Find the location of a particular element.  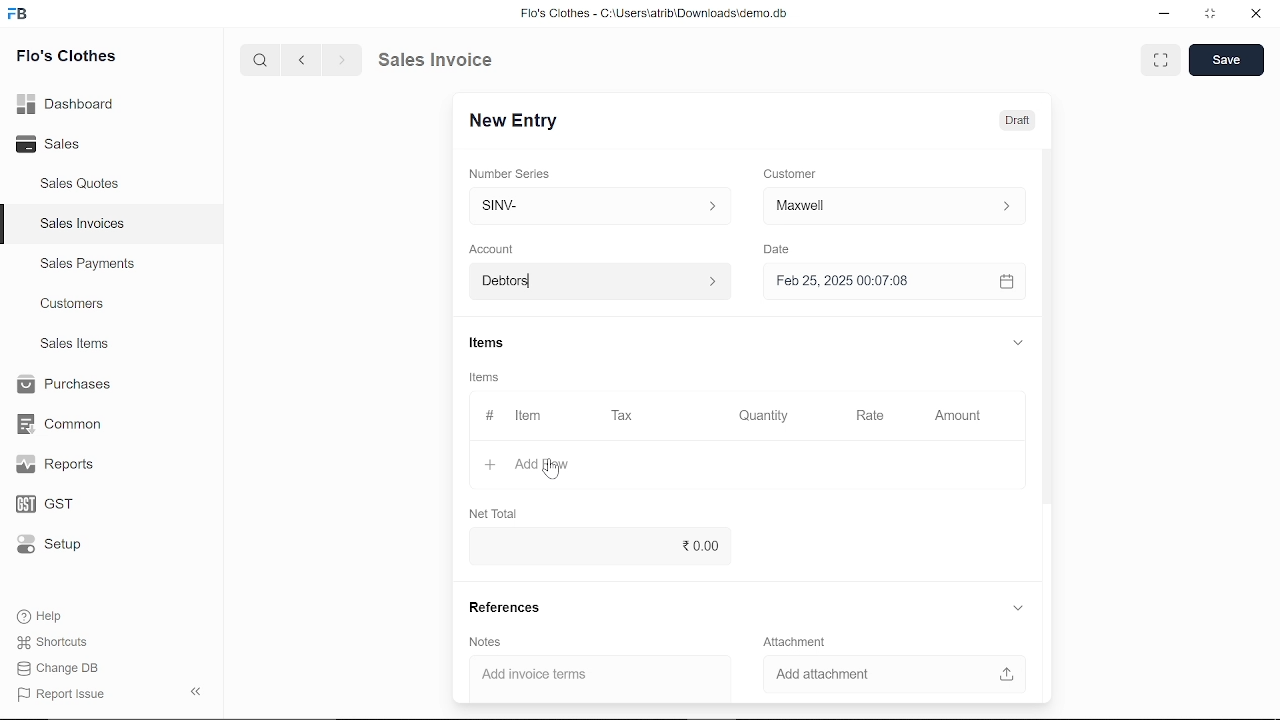

Sales Invoices is located at coordinates (82, 224).